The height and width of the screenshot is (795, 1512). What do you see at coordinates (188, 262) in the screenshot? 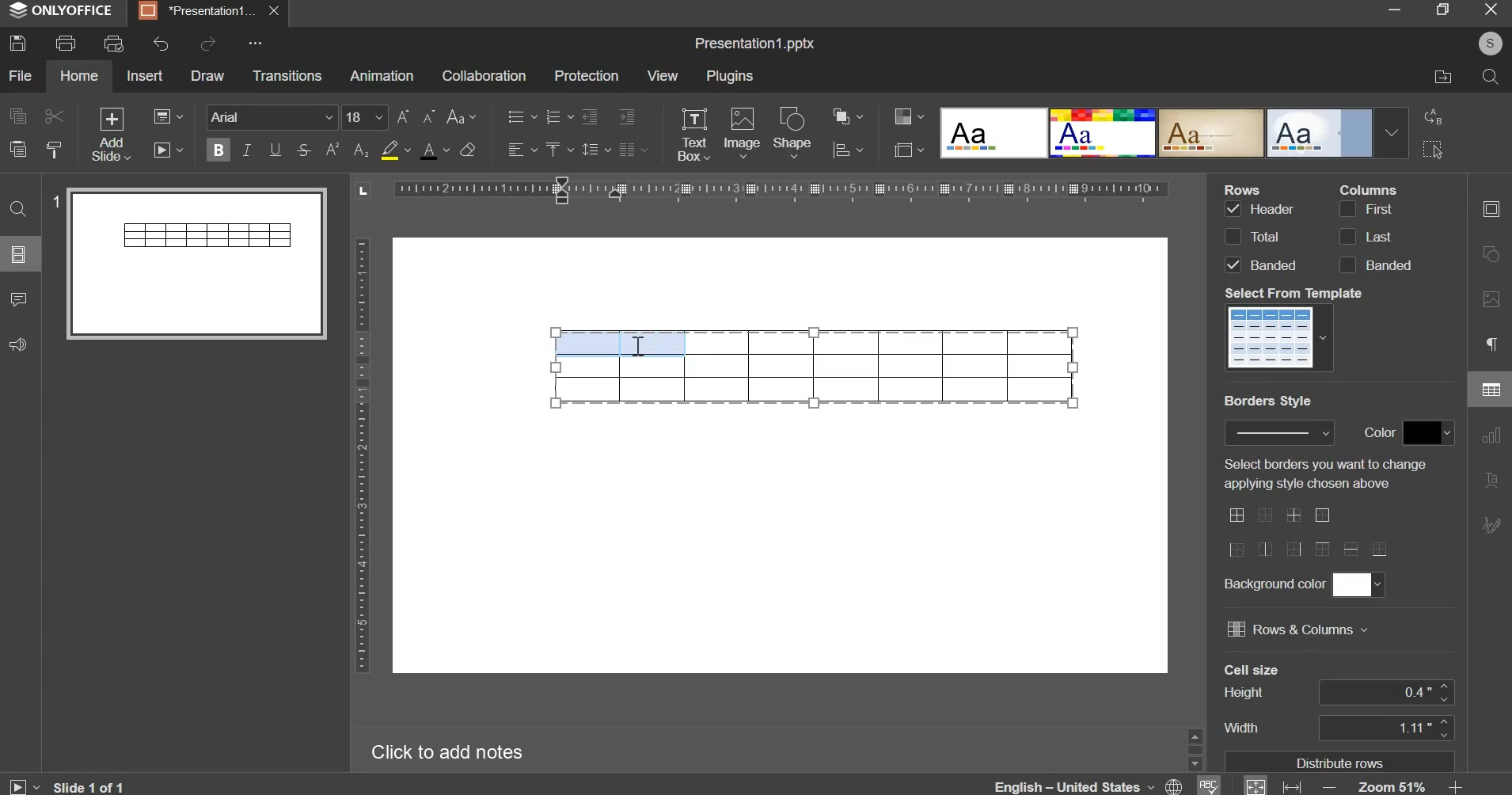
I see `slide preview` at bounding box center [188, 262].